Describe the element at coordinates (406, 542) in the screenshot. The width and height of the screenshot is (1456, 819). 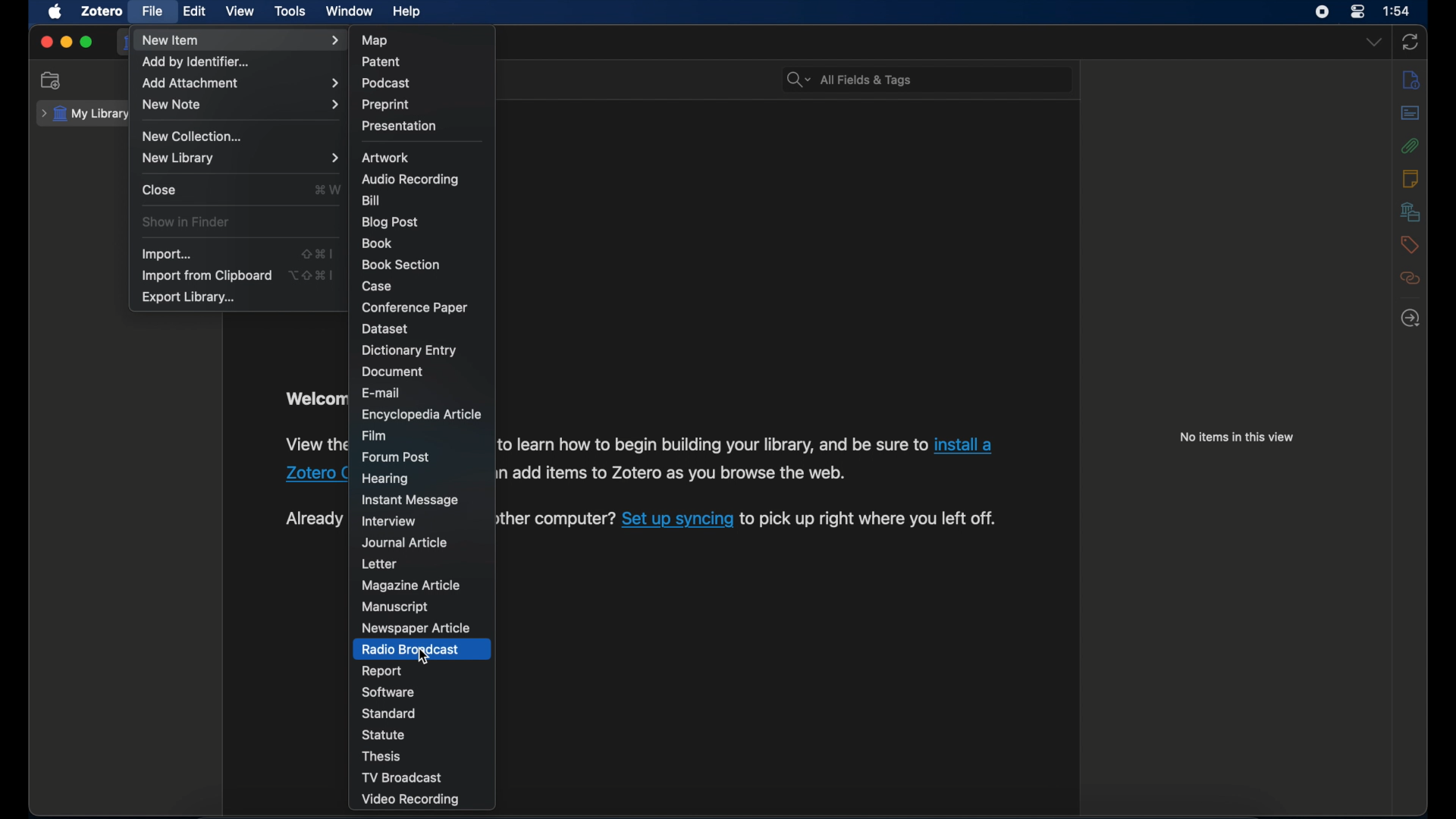
I see `journal article` at that location.